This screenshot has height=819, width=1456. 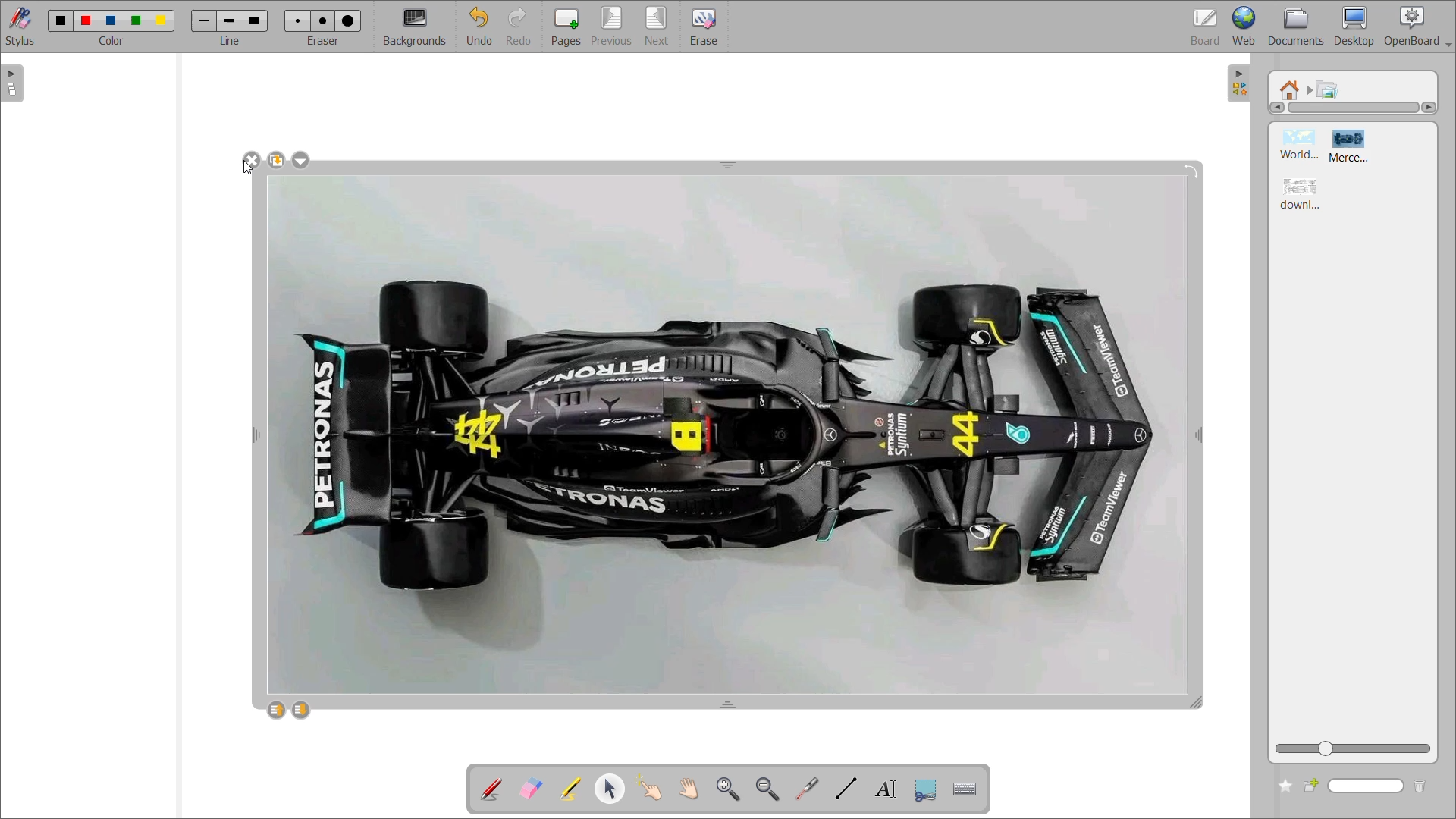 What do you see at coordinates (808, 789) in the screenshot?
I see `virtual laser pointer` at bounding box center [808, 789].